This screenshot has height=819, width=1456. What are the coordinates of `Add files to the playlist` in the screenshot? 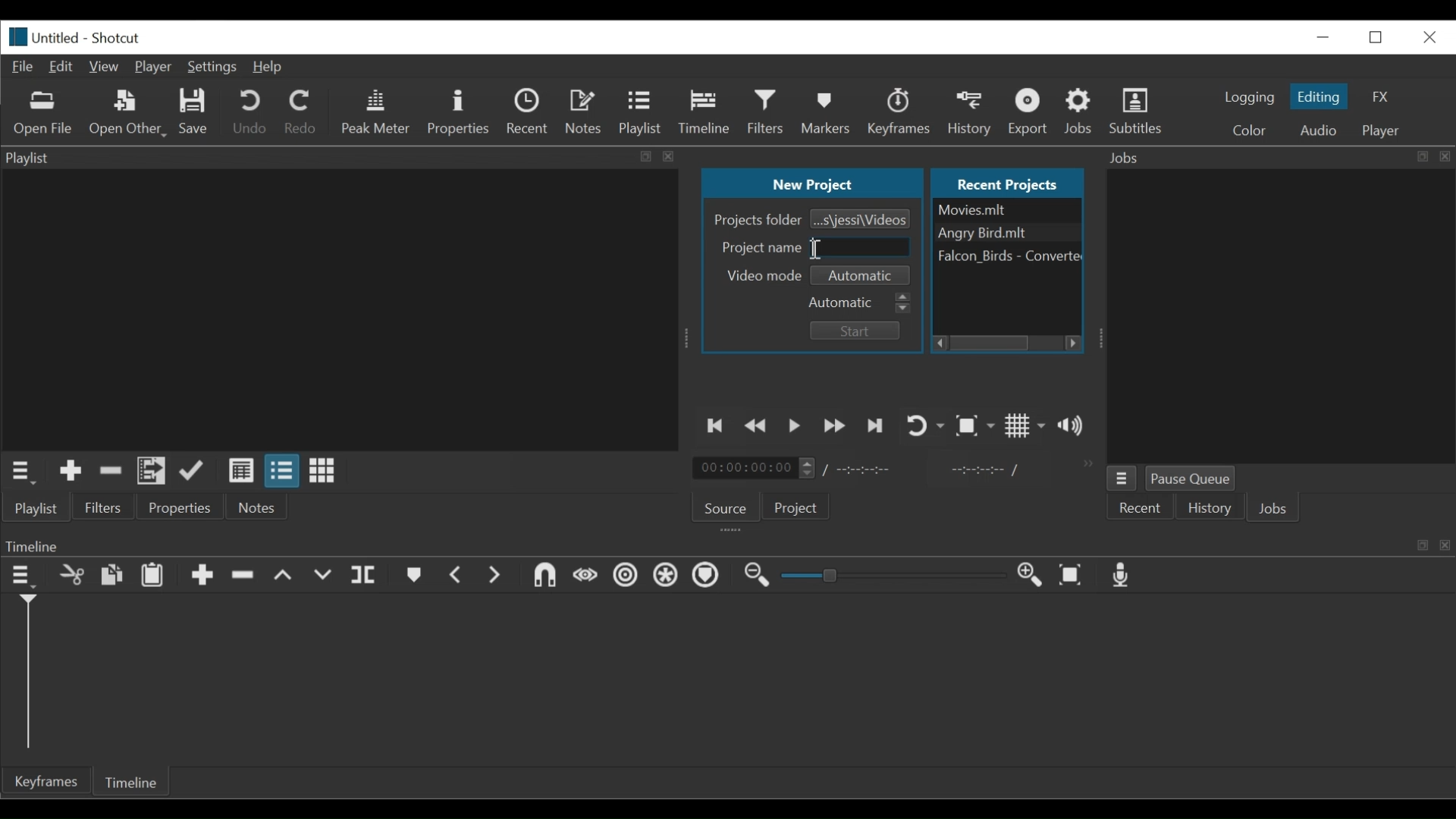 It's located at (152, 472).